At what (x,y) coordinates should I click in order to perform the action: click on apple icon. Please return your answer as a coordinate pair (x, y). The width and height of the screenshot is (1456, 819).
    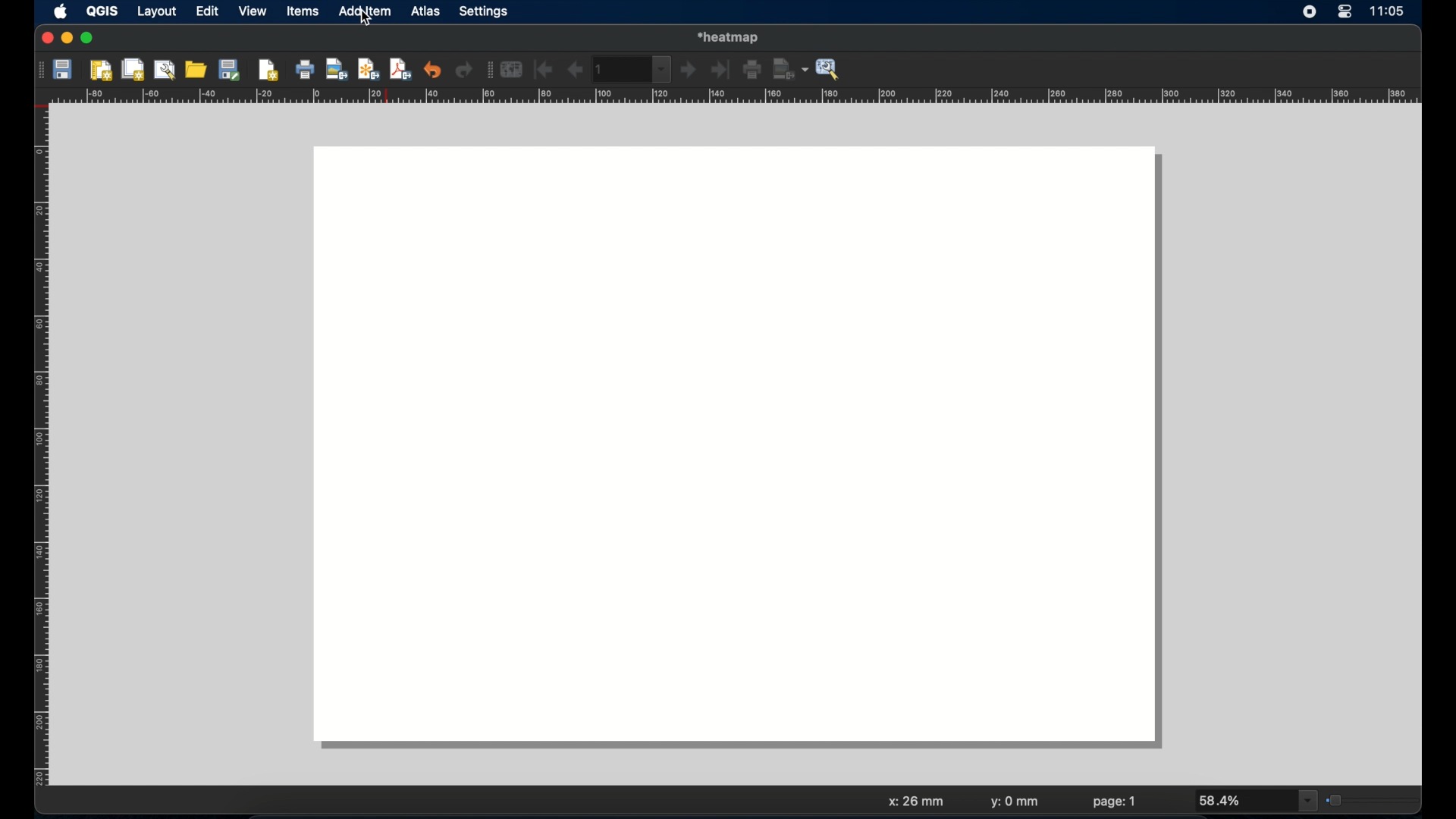
    Looking at the image, I should click on (59, 11).